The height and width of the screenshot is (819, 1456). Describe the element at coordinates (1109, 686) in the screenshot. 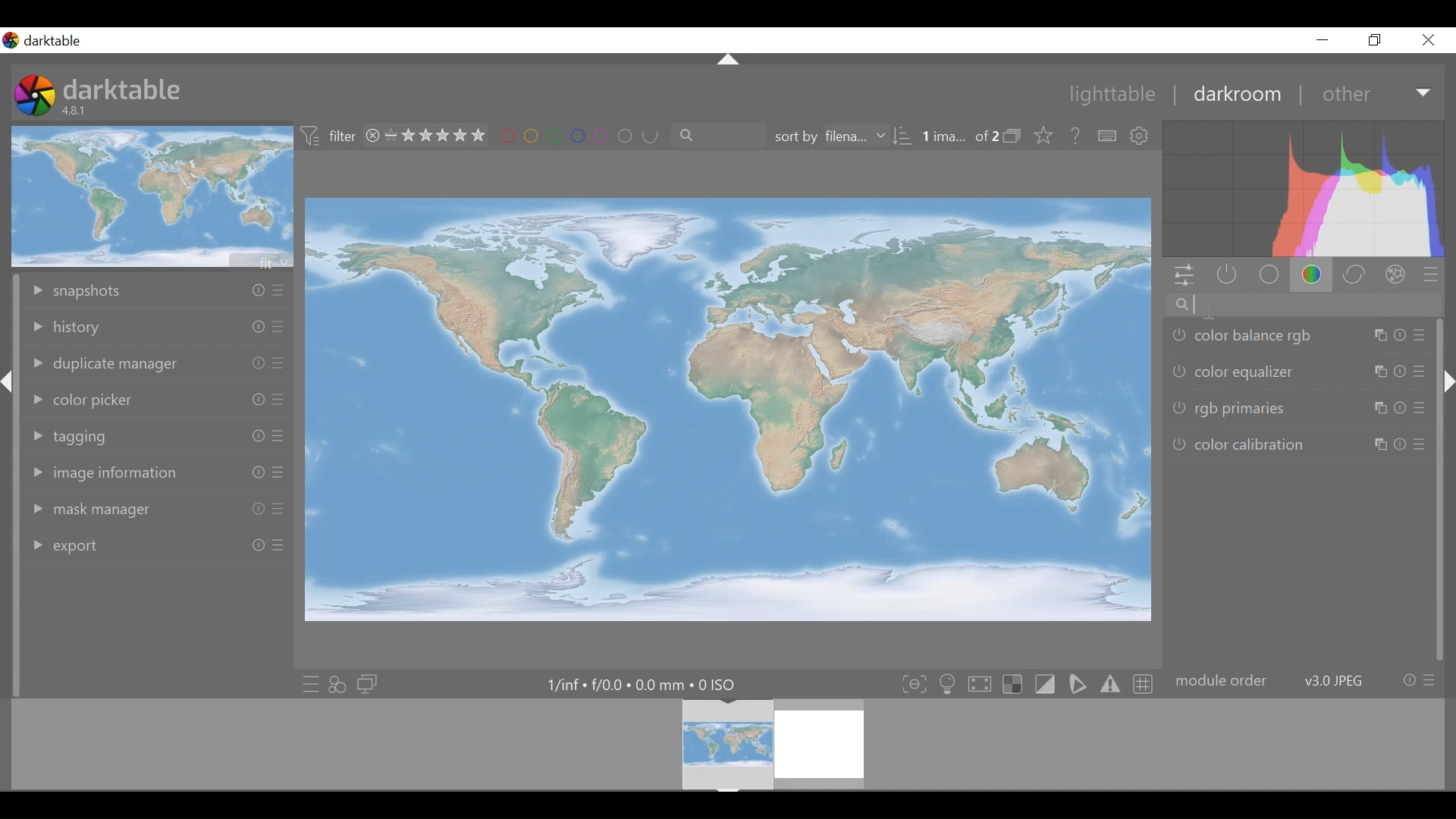

I see `toggle gamut checking` at that location.